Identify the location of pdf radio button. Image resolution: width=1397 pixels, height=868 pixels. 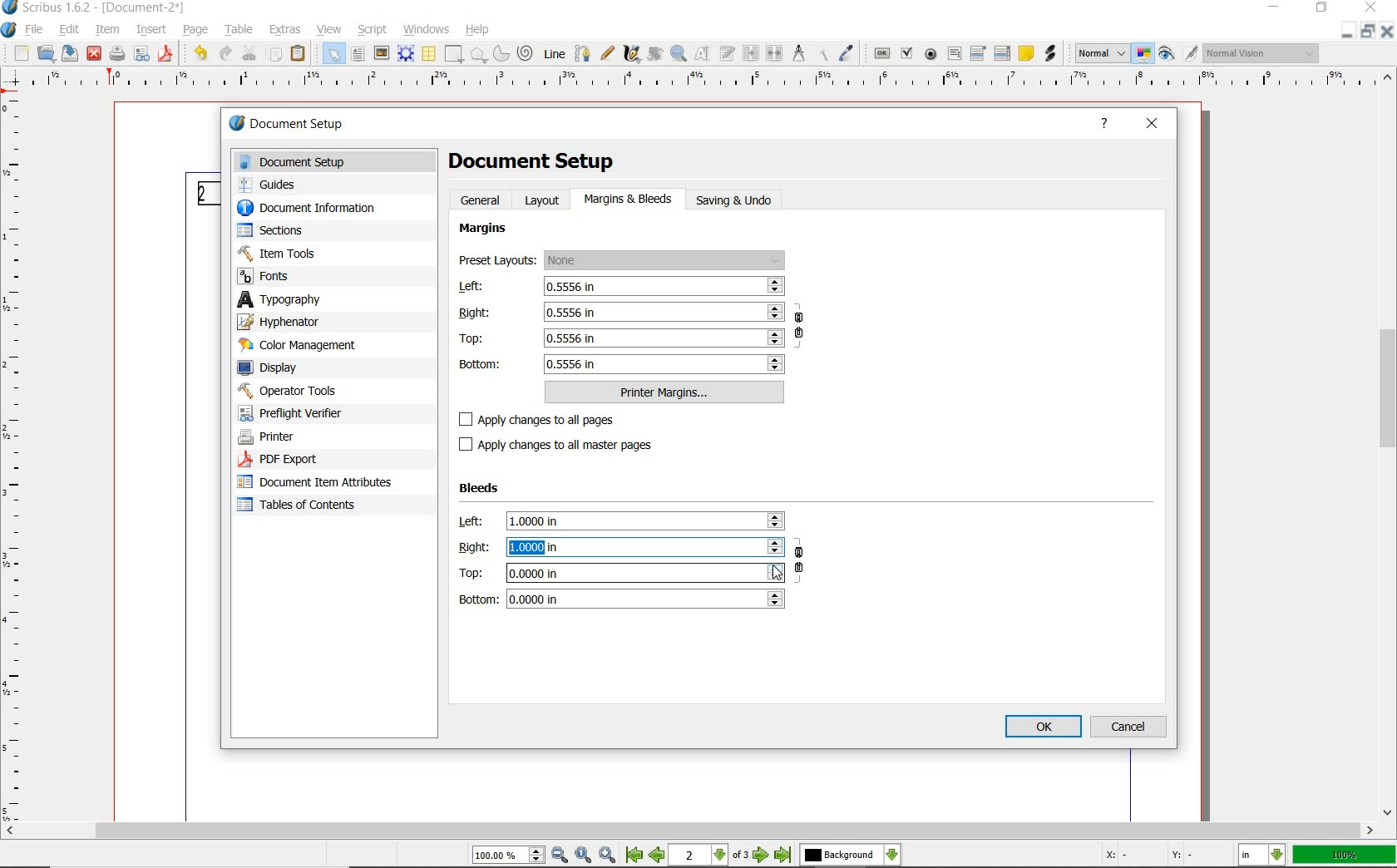
(931, 54).